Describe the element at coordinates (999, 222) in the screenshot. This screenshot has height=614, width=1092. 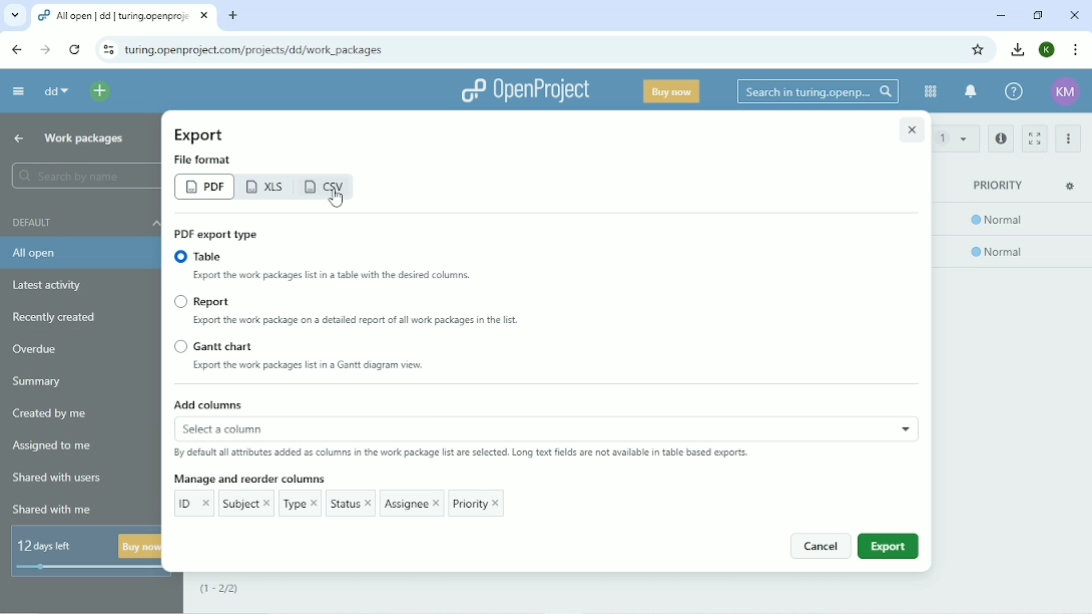
I see `Normal` at that location.